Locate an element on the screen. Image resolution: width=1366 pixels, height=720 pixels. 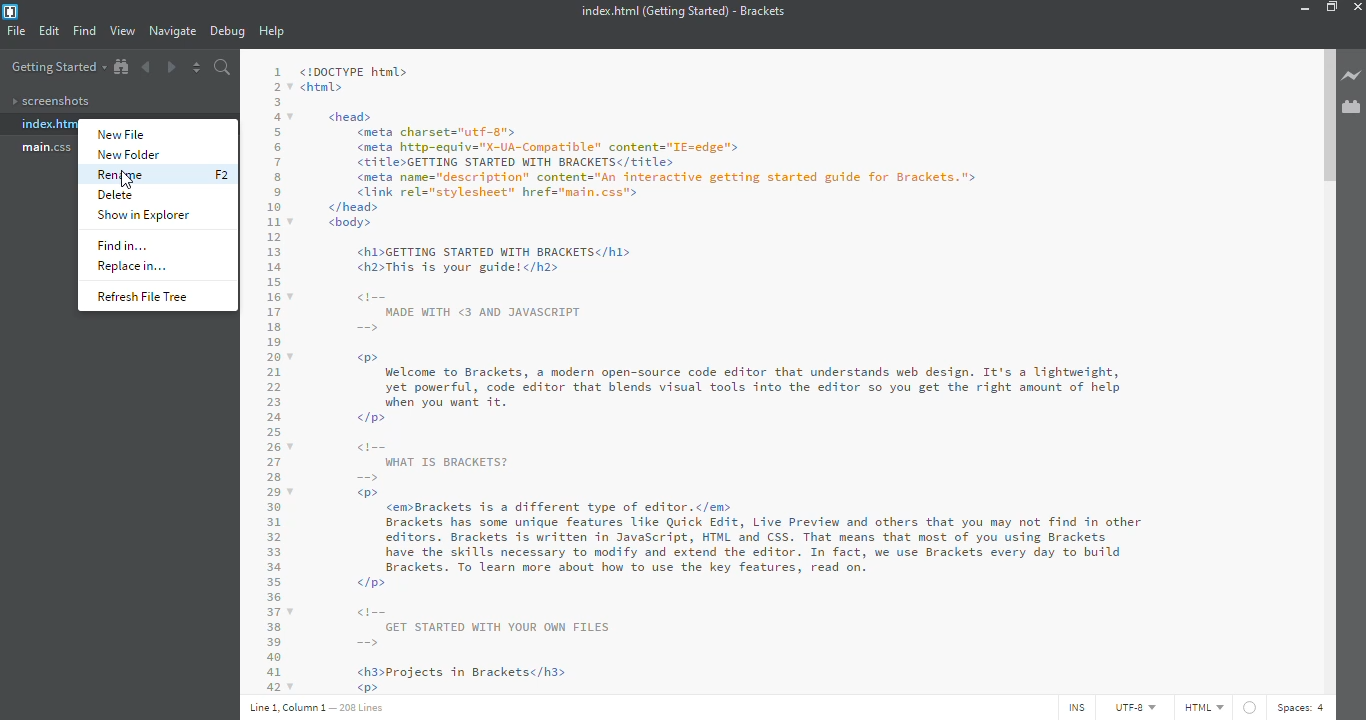
navigate is located at coordinates (173, 31).